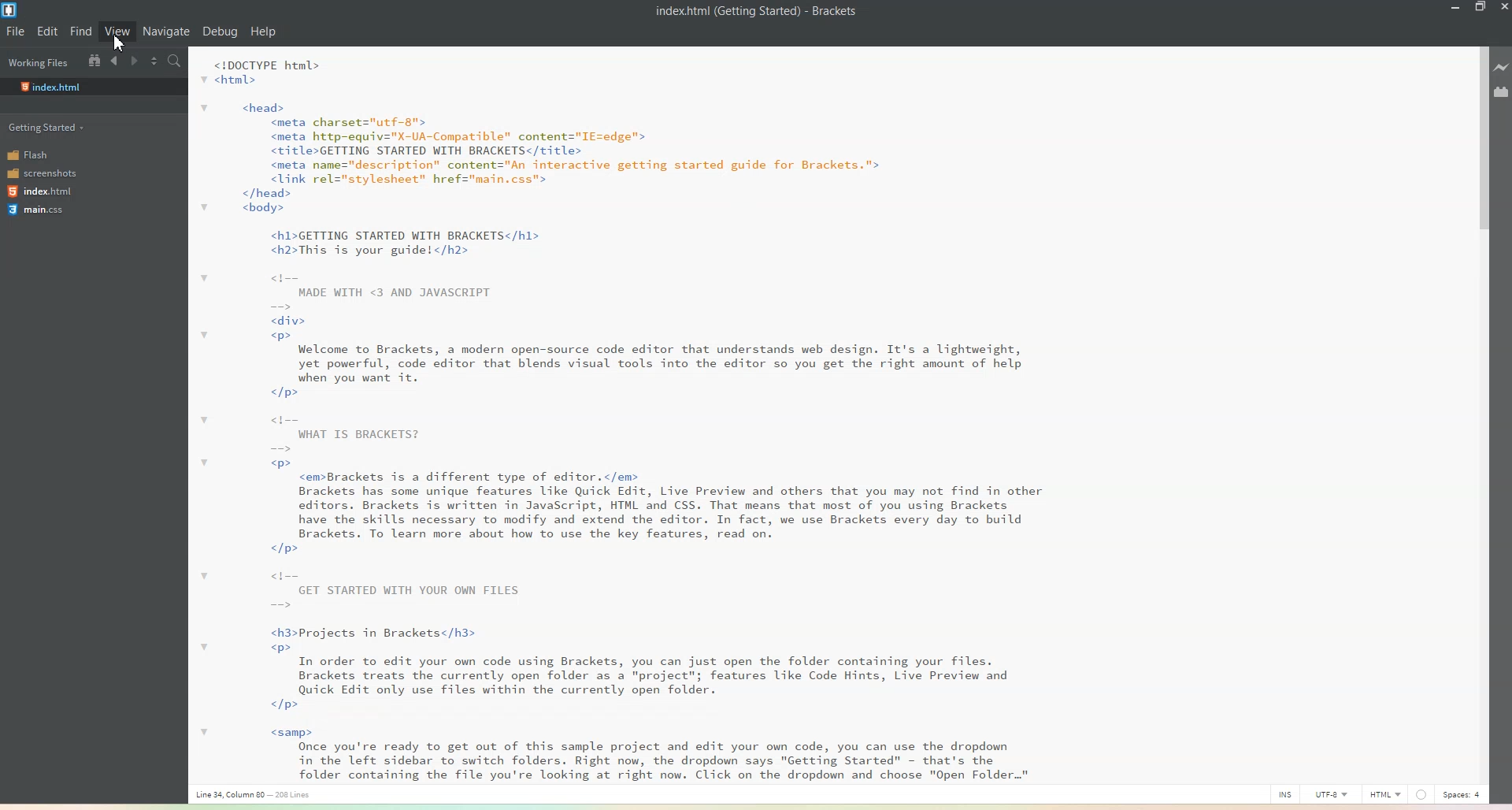 Image resolution: width=1512 pixels, height=810 pixels. Describe the element at coordinates (220, 32) in the screenshot. I see `Debug` at that location.